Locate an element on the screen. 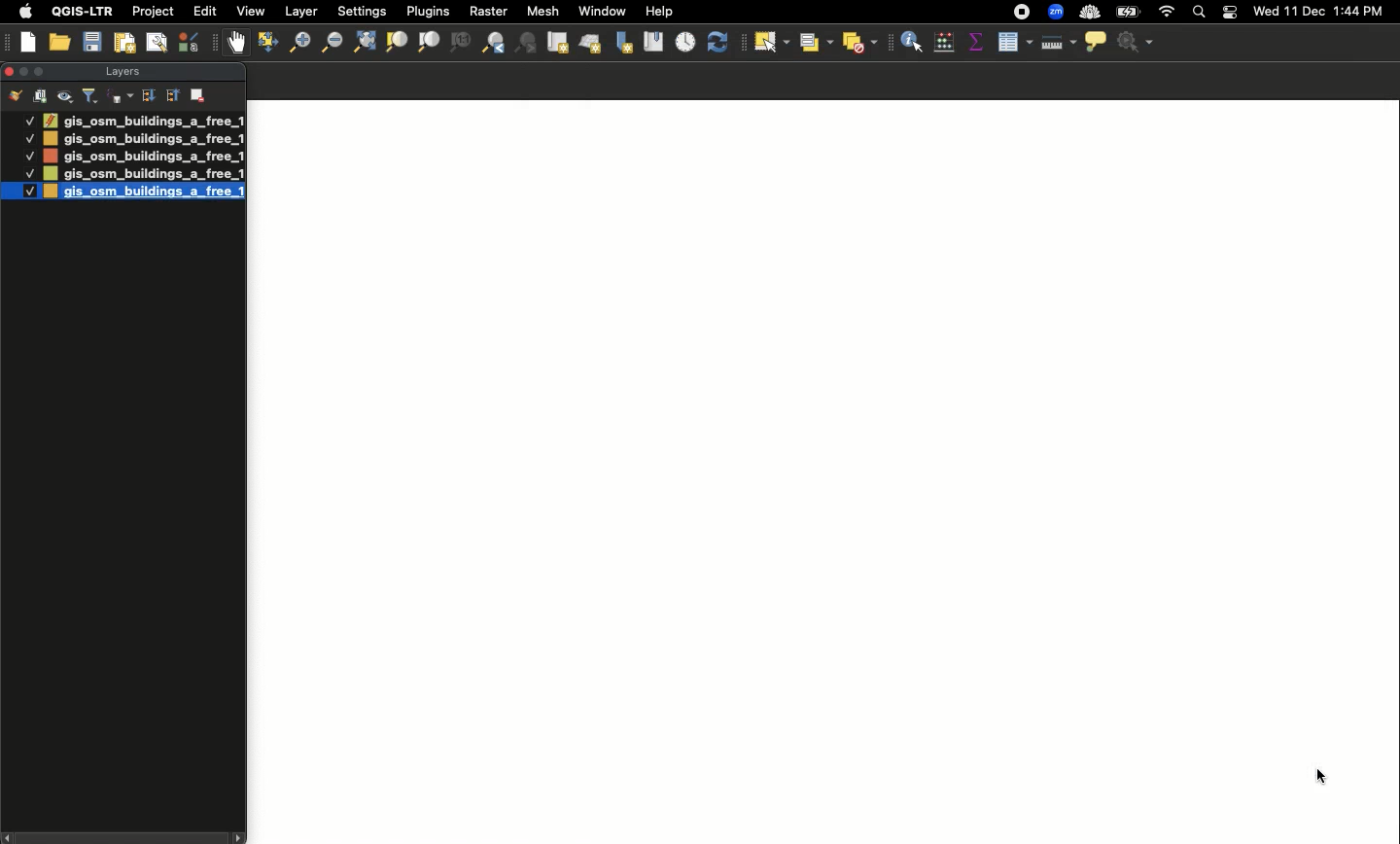 Image resolution: width=1400 pixels, height=844 pixels. wed is located at coordinates (1264, 13).